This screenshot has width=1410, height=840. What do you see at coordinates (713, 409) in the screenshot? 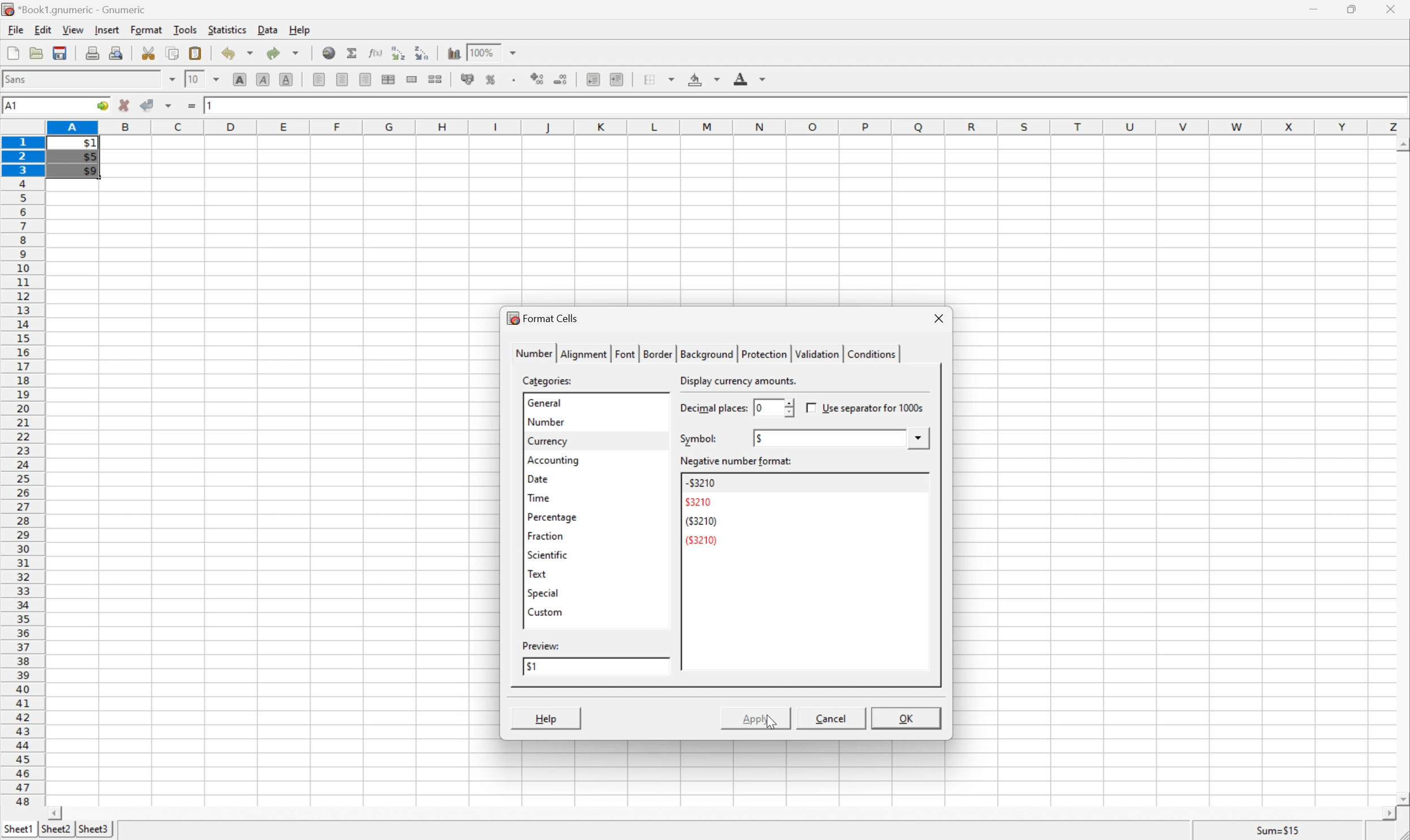
I see `decimal places` at bounding box center [713, 409].